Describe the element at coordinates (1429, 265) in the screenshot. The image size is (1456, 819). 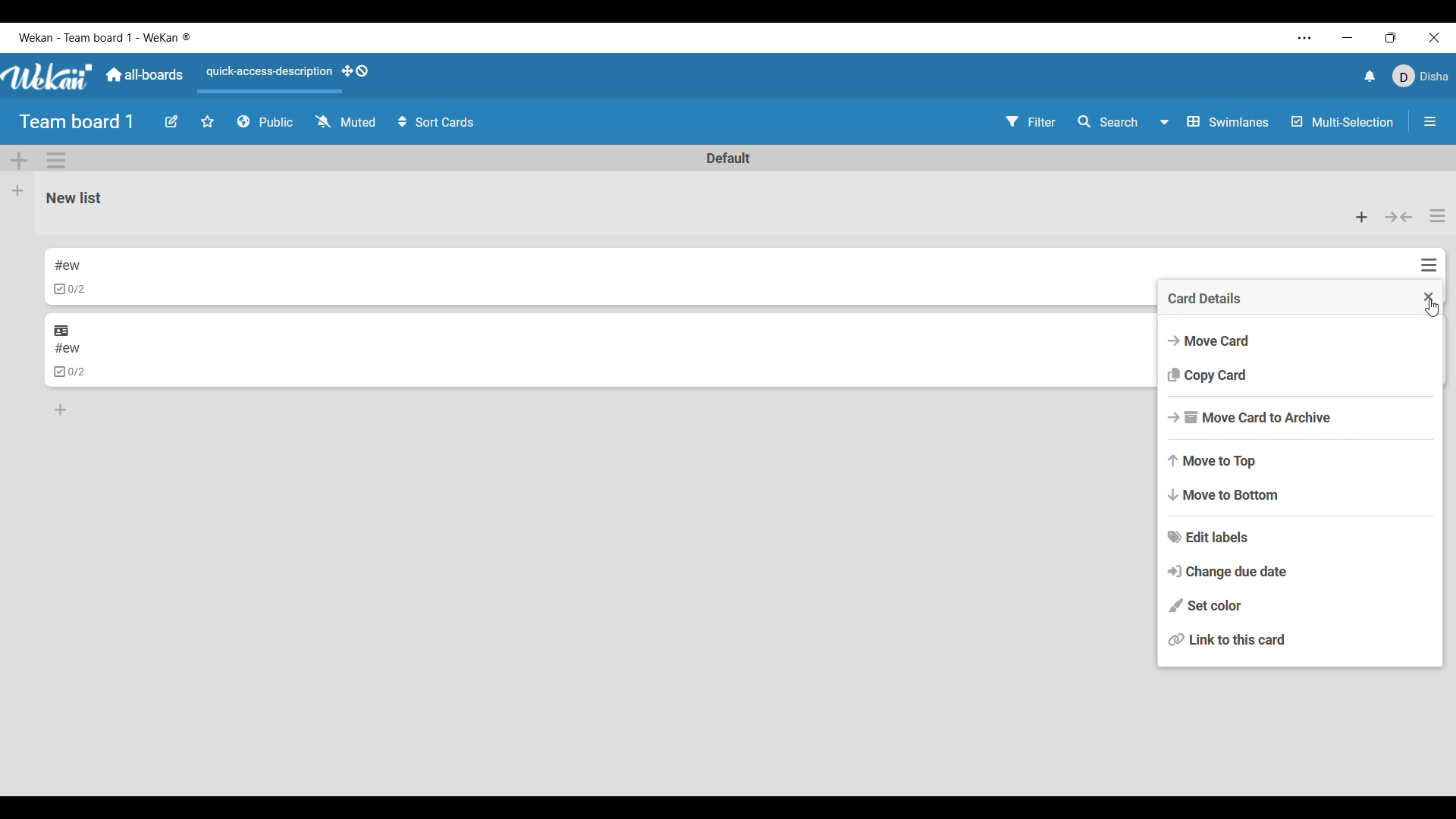
I see `Card actions` at that location.